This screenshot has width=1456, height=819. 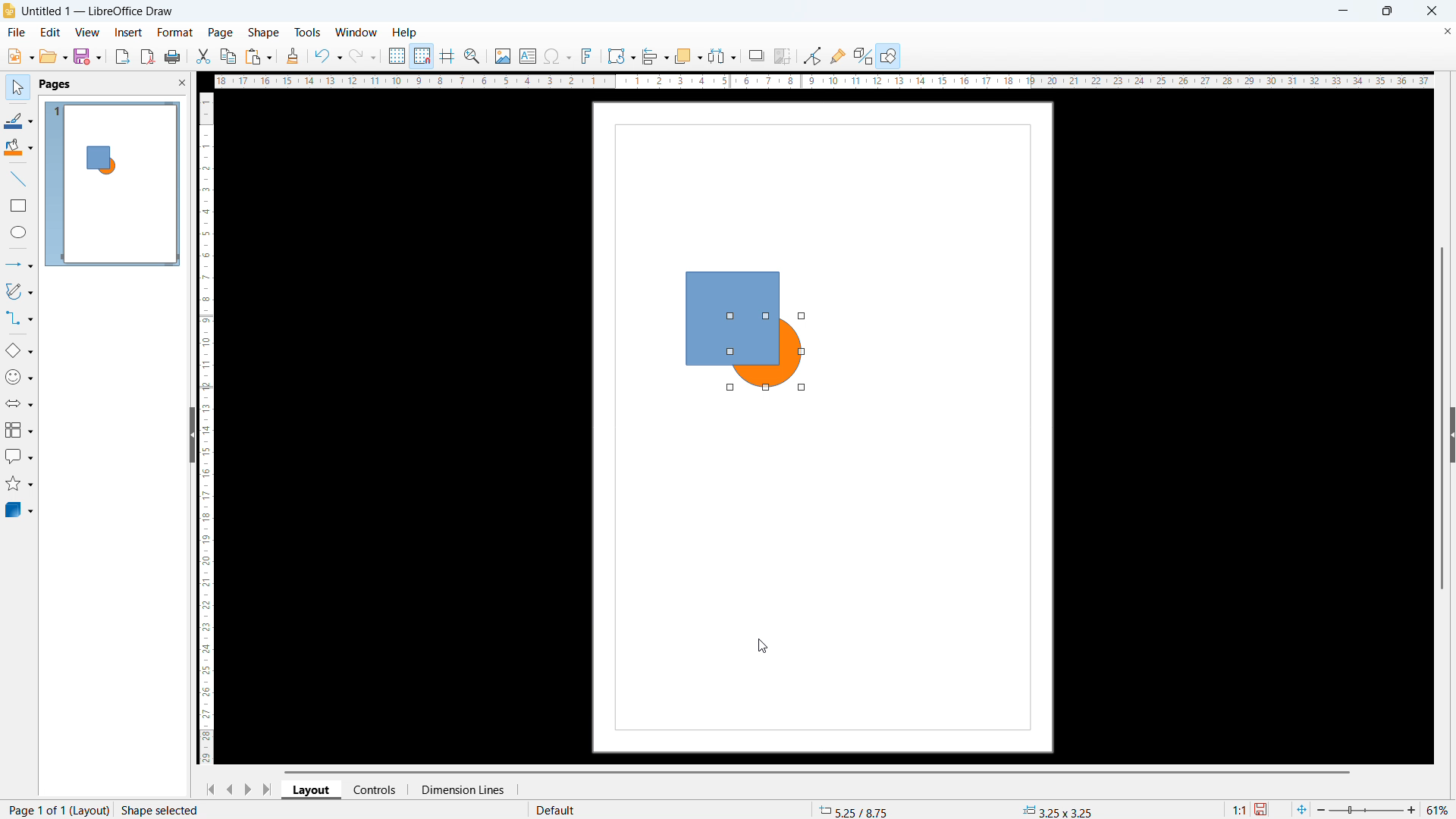 I want to click on display grid, so click(x=397, y=55).